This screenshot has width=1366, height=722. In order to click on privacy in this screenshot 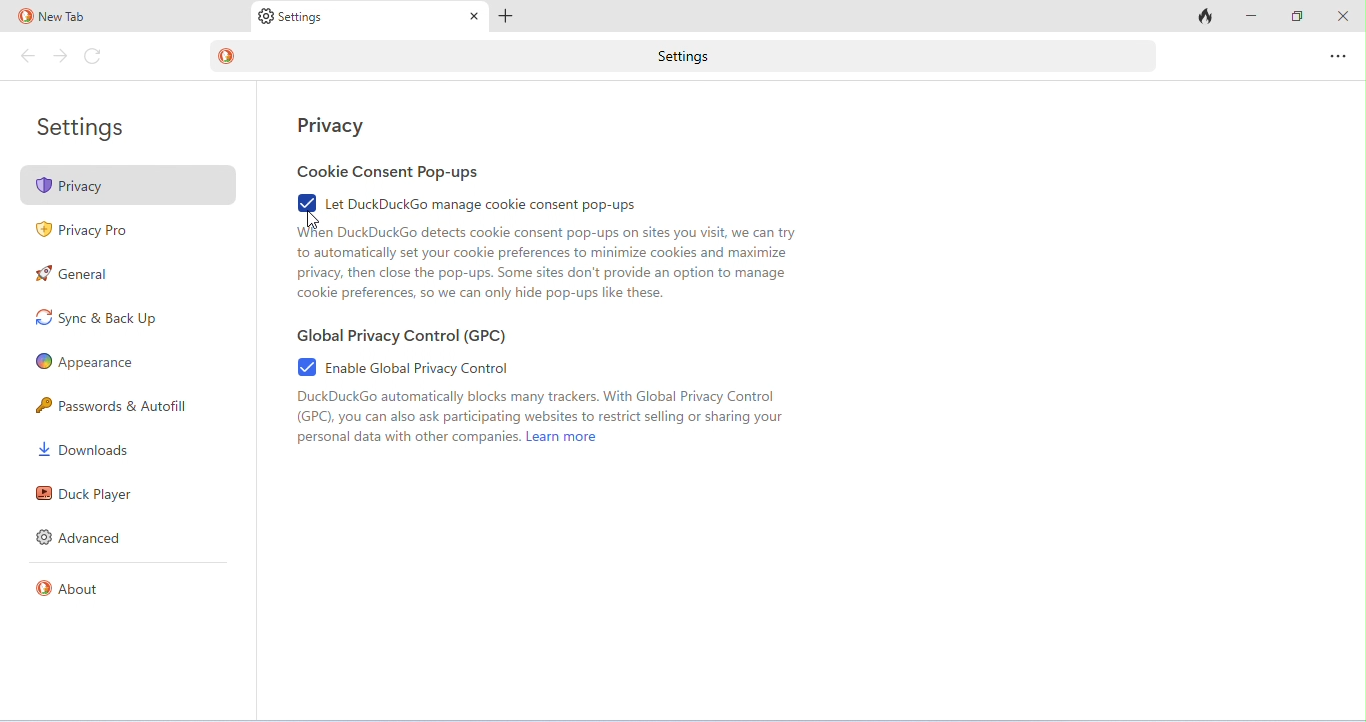, I will do `click(332, 125)`.